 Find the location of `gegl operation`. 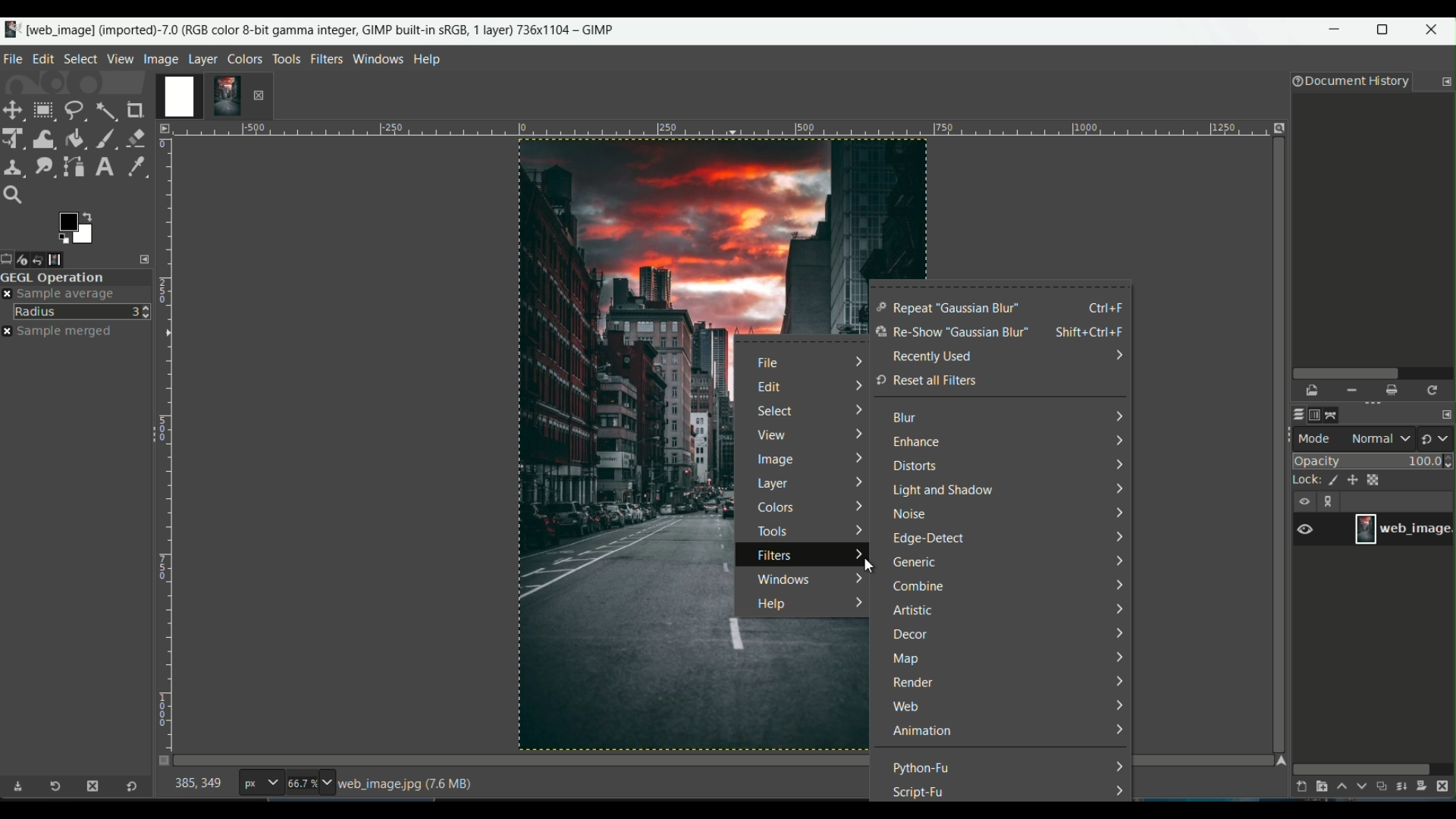

gegl operation is located at coordinates (76, 278).